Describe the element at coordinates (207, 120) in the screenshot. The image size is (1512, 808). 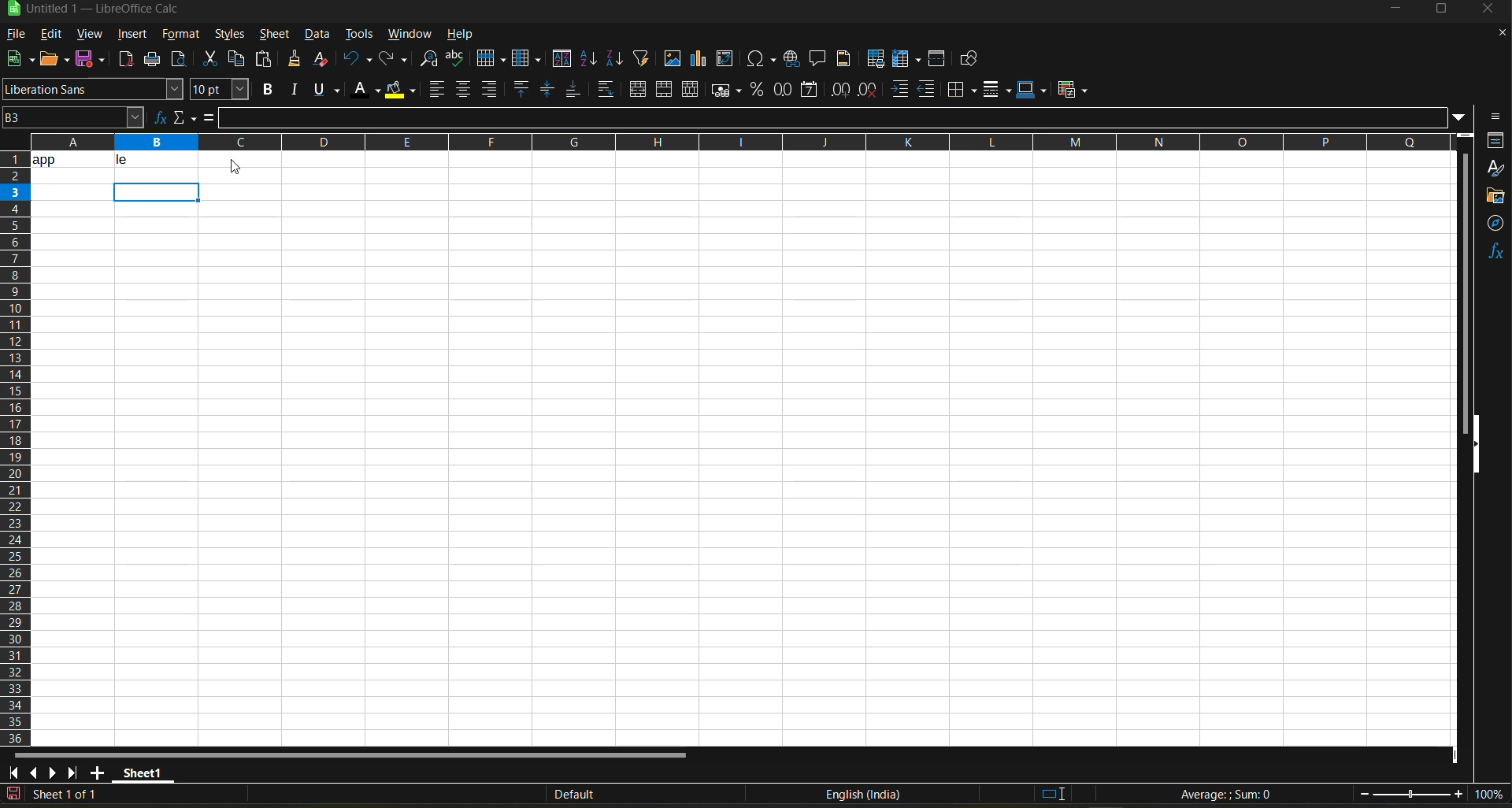
I see `formula` at that location.